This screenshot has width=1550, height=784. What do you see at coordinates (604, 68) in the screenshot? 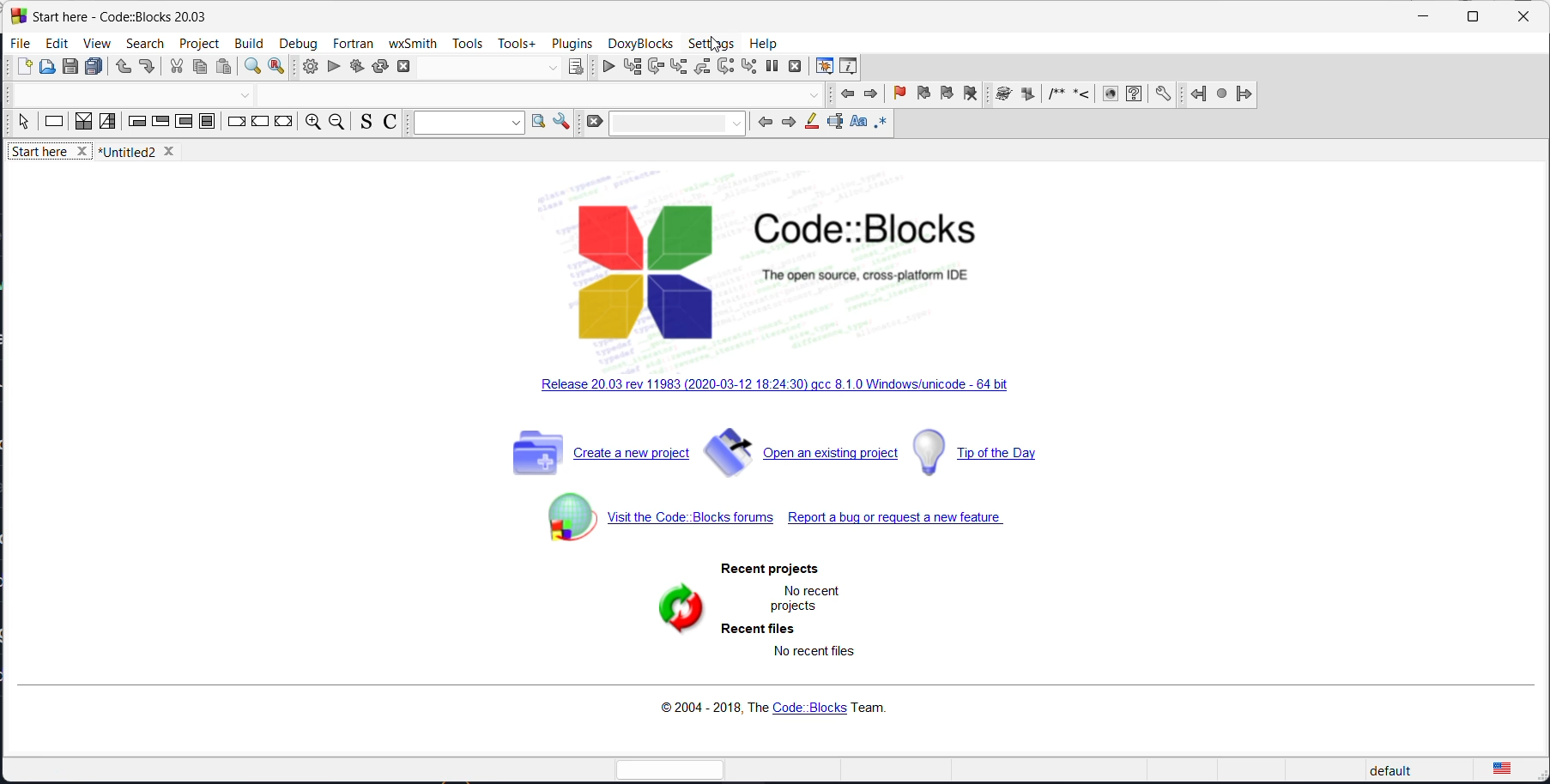
I see `debug/continue` at bounding box center [604, 68].